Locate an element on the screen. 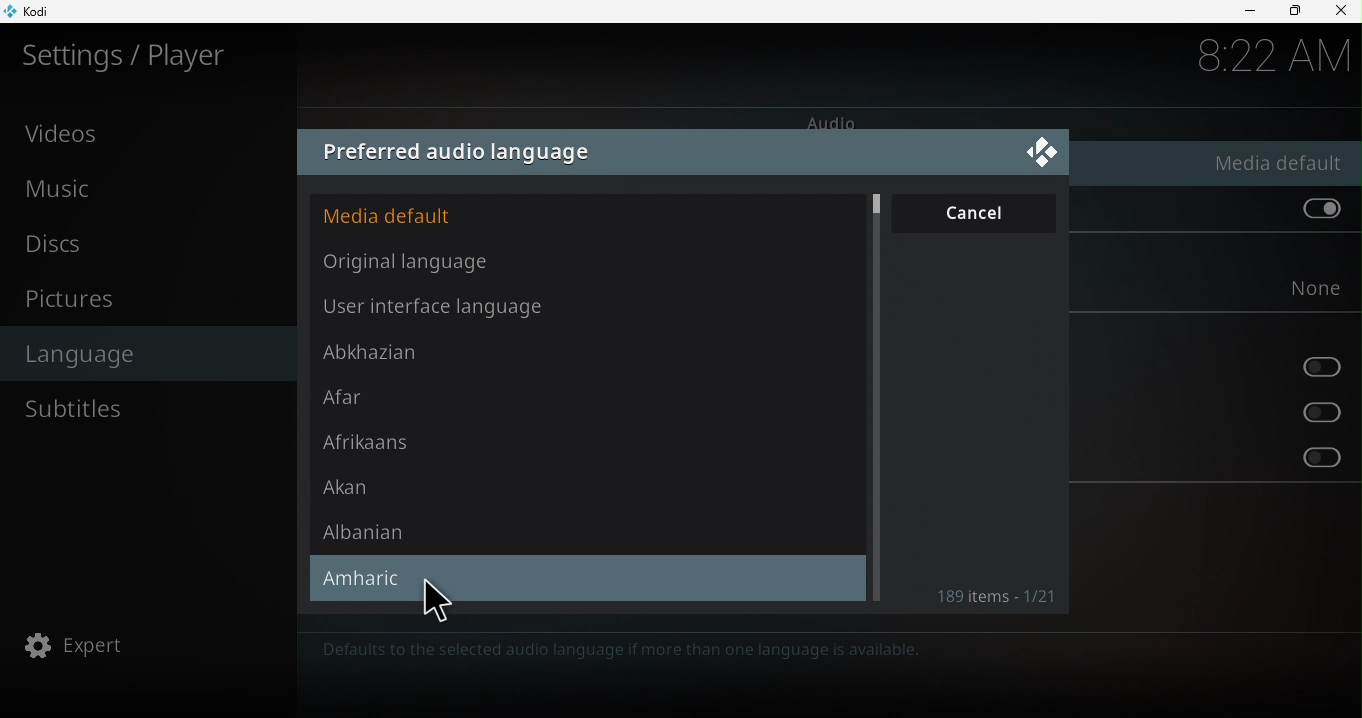 This screenshot has width=1362, height=718. Defaults to the selected audio language if more than one language is available is located at coordinates (646, 649).